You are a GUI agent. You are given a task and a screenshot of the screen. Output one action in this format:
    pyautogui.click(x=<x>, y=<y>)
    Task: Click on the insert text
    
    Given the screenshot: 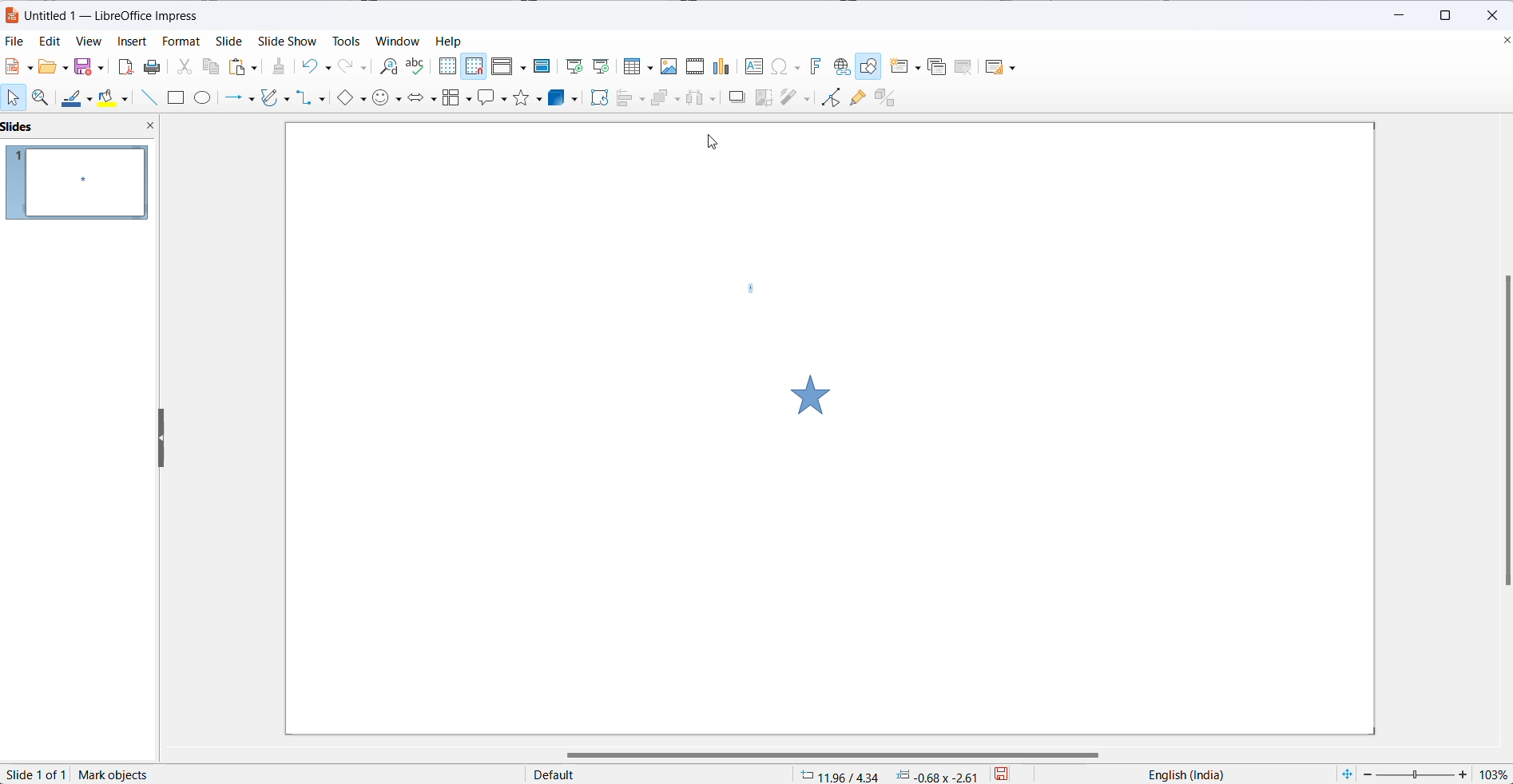 What is the action you would take?
    pyautogui.click(x=755, y=69)
    